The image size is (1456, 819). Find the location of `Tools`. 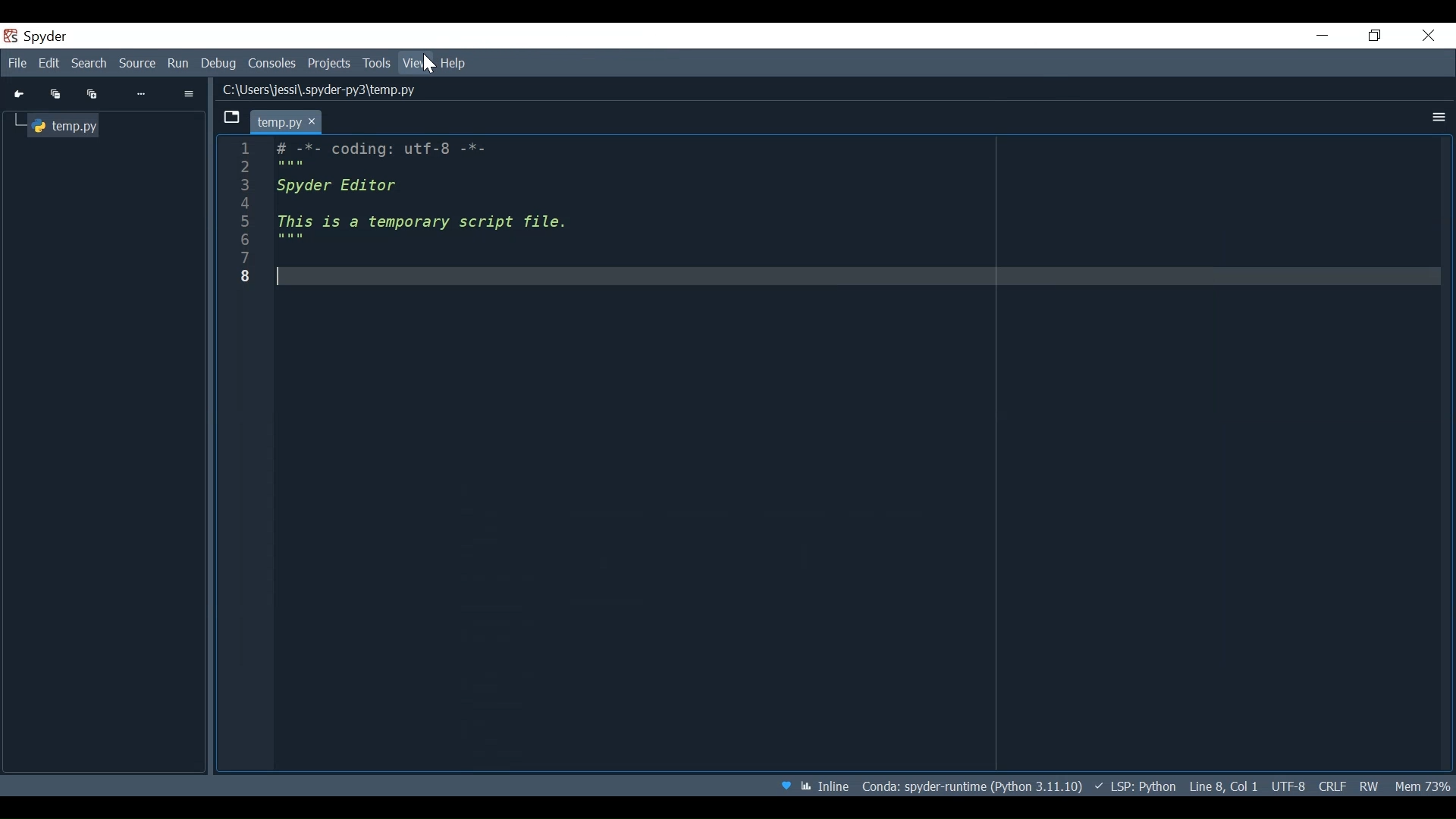

Tools is located at coordinates (377, 64).